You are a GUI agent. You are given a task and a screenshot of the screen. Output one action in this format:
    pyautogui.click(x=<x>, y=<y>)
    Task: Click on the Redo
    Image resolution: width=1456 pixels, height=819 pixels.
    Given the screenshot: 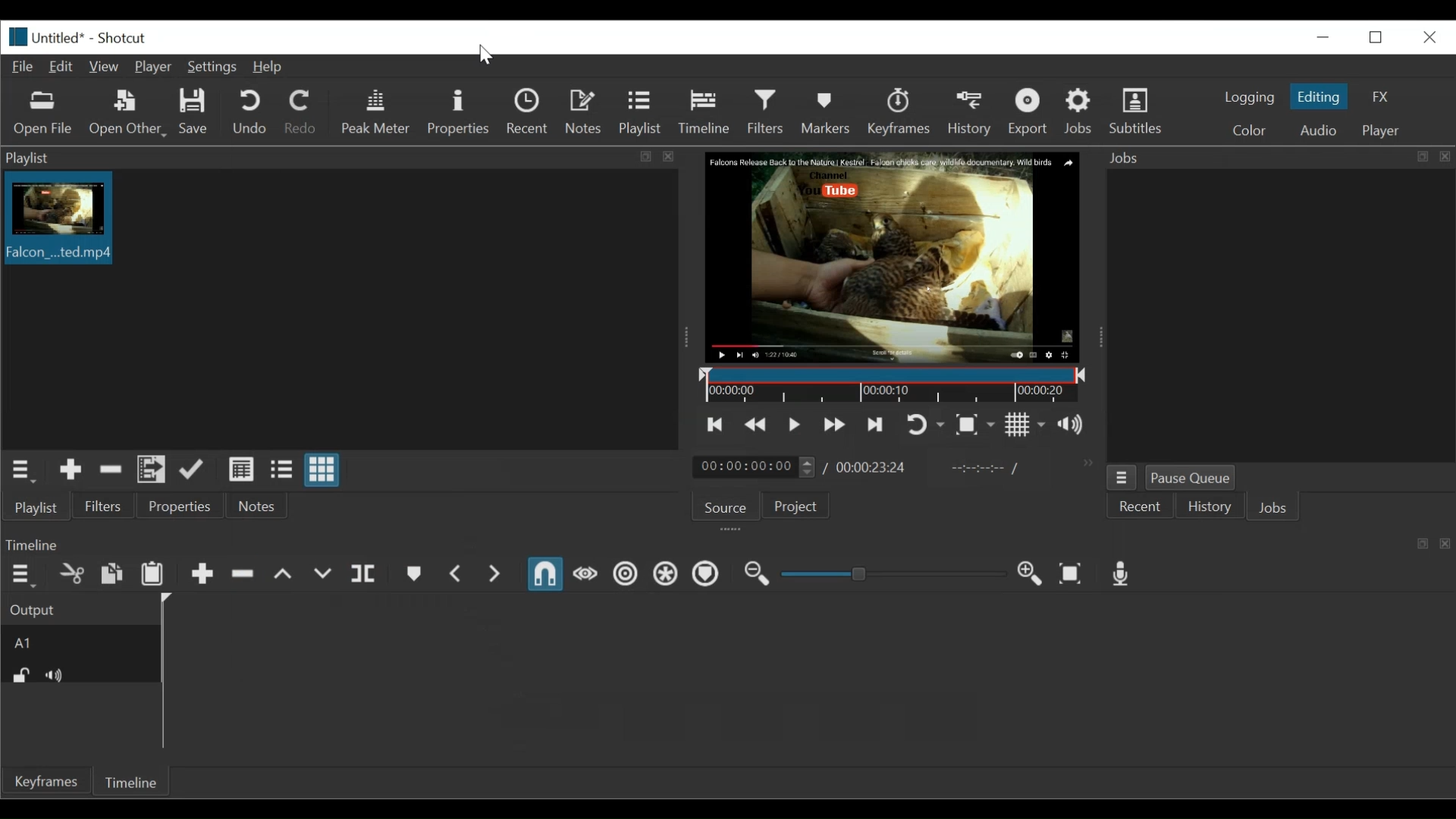 What is the action you would take?
    pyautogui.click(x=301, y=115)
    